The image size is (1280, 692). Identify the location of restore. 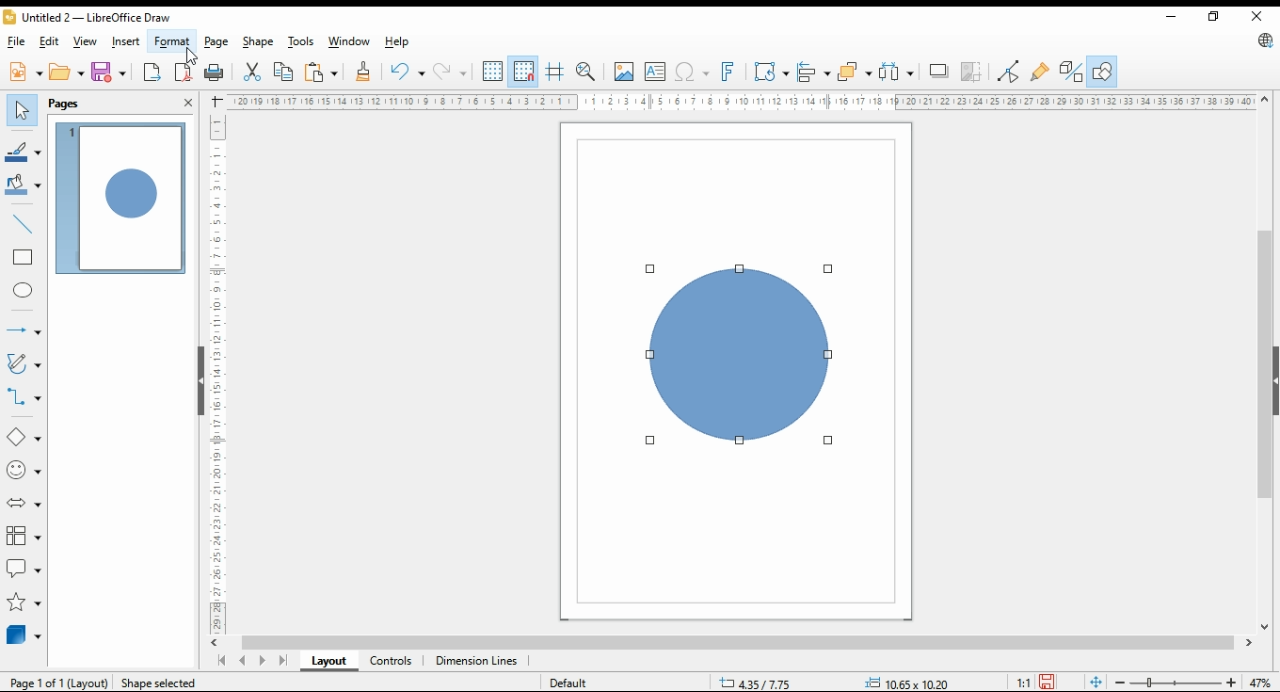
(1218, 17).